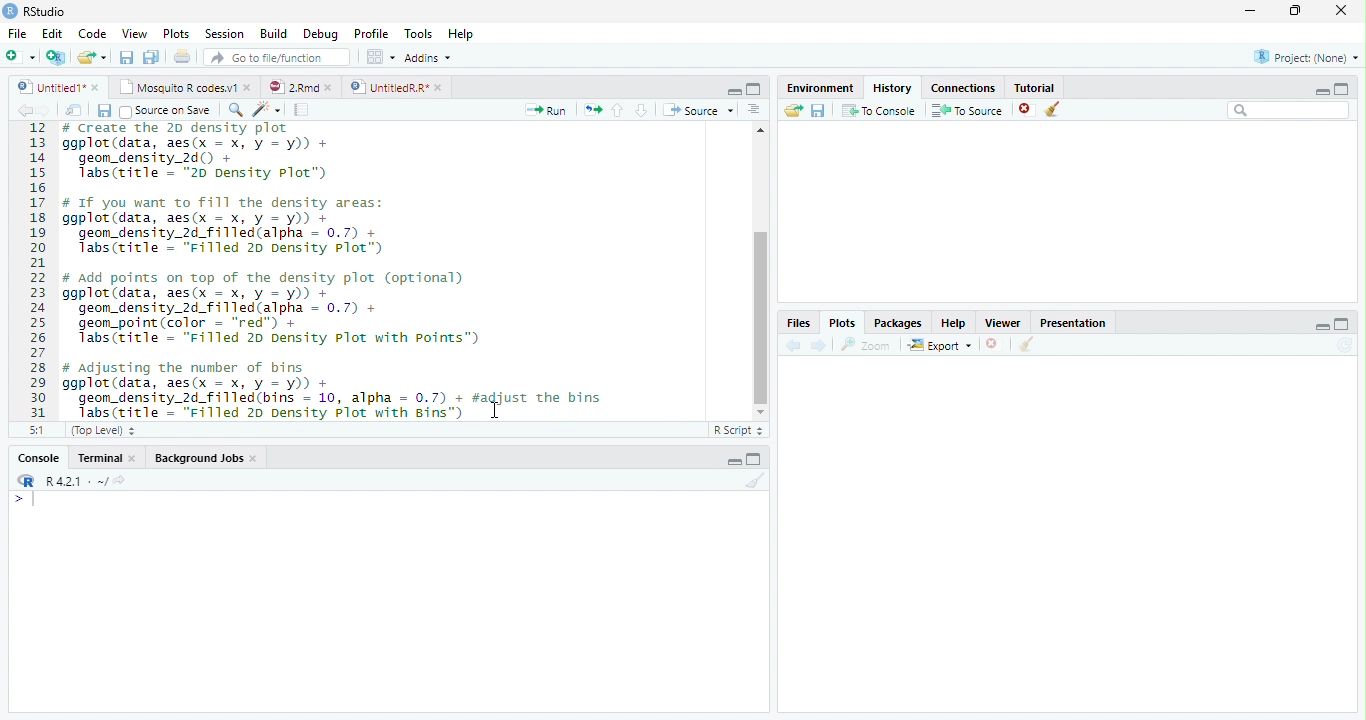 This screenshot has height=720, width=1366. What do you see at coordinates (427, 57) in the screenshot?
I see `Addins` at bounding box center [427, 57].